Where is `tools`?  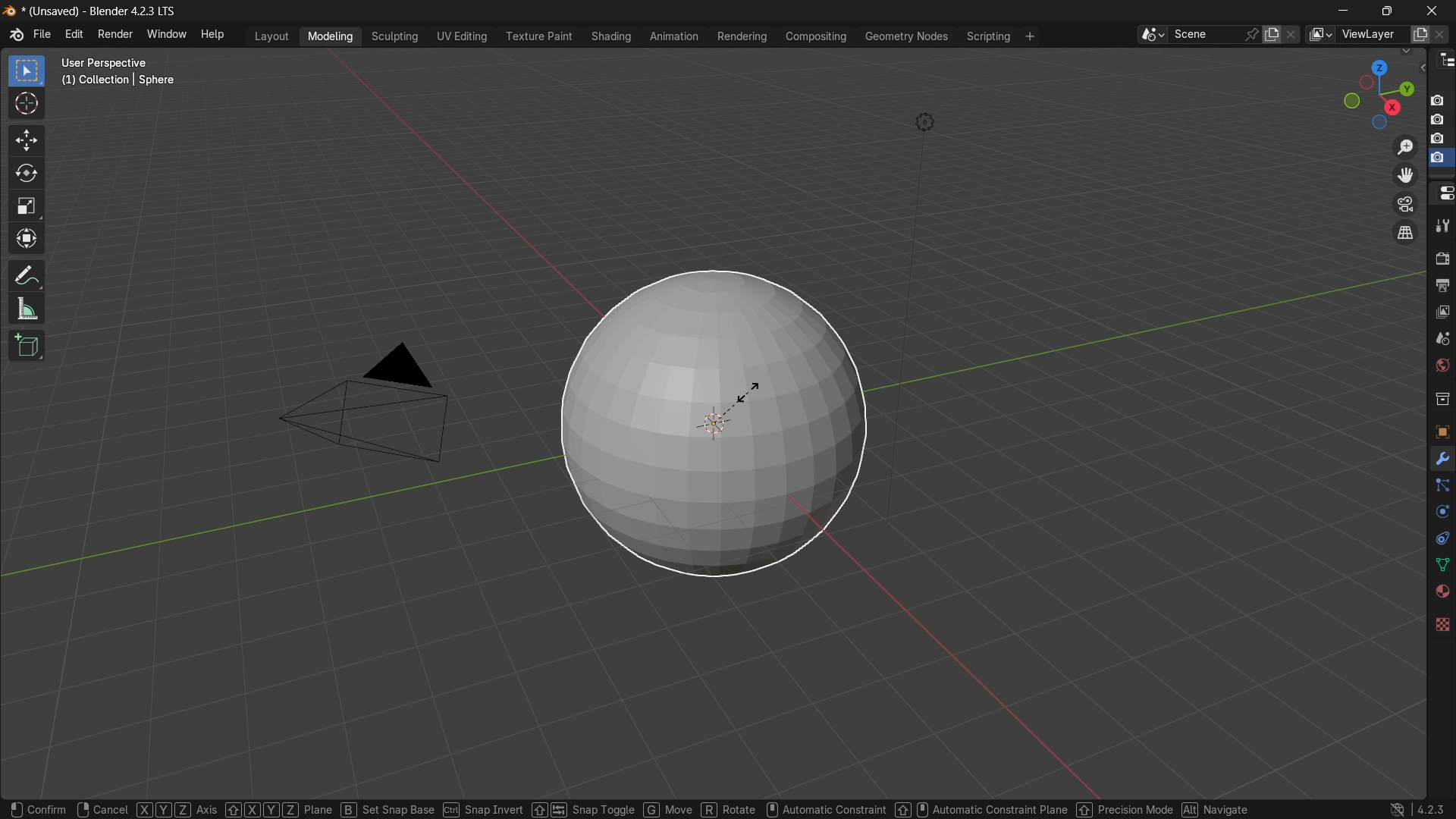 tools is located at coordinates (1442, 229).